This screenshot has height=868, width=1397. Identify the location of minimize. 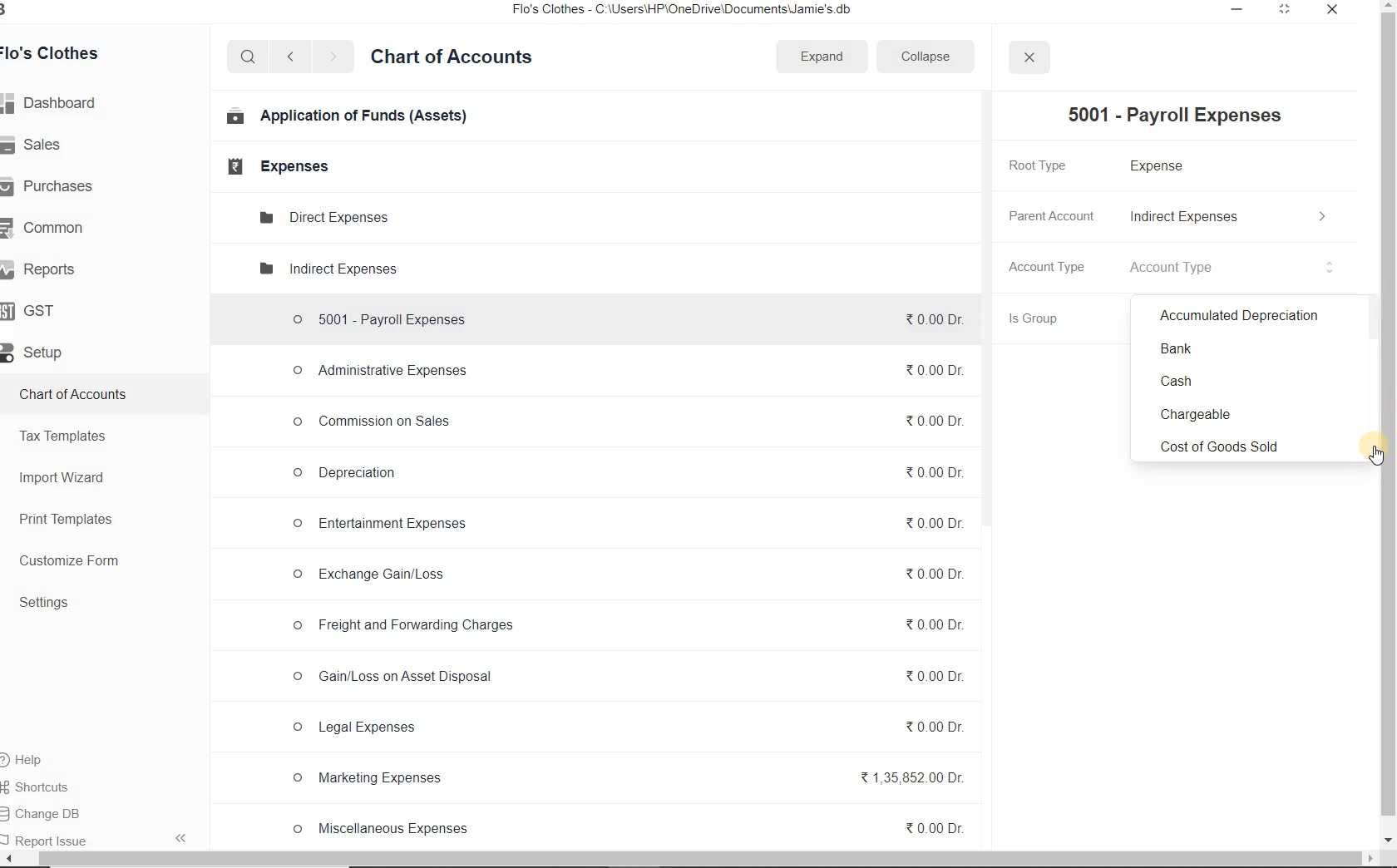
(1237, 11).